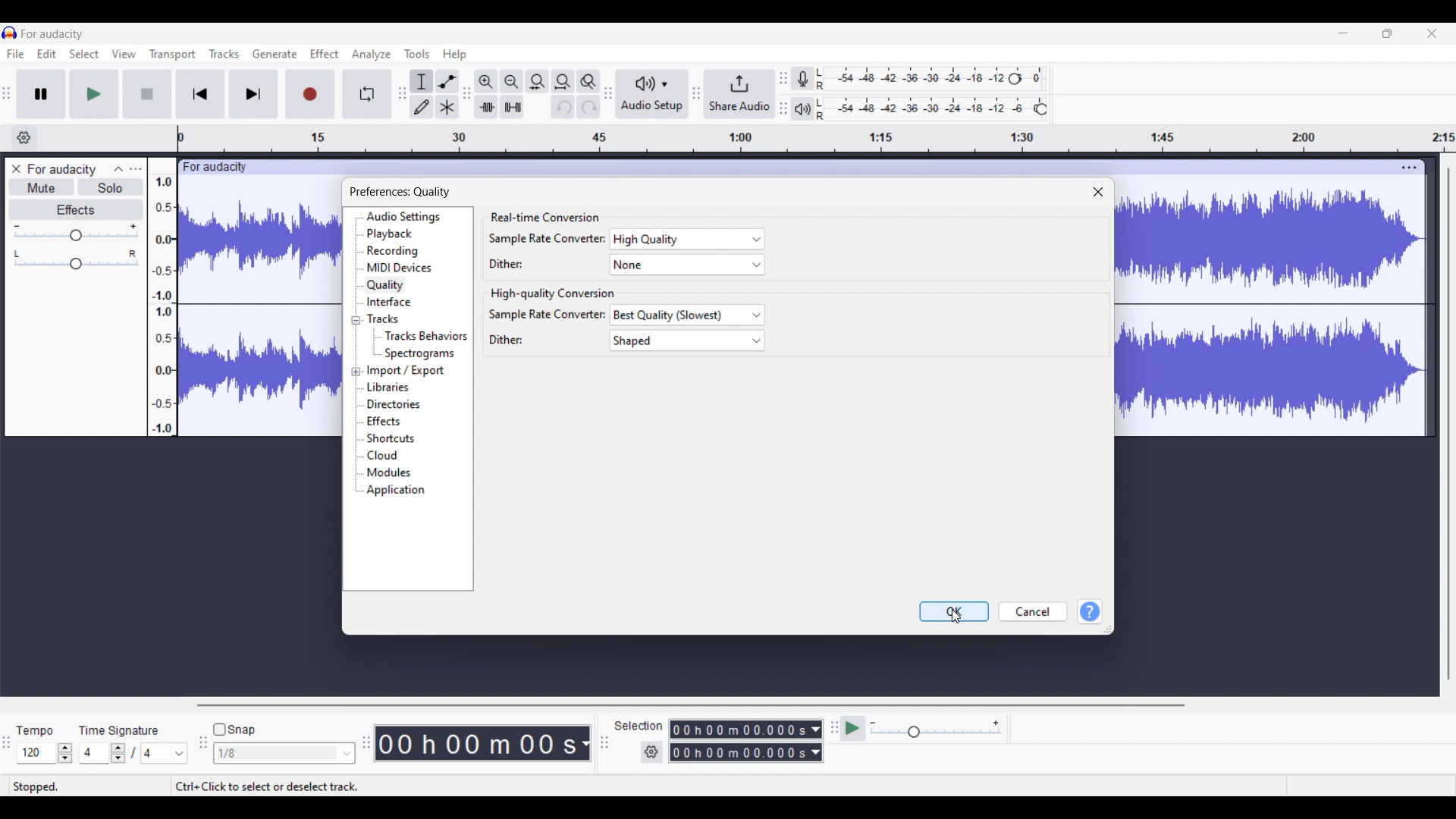 This screenshot has height=819, width=1456. What do you see at coordinates (76, 264) in the screenshot?
I see `Header to change pan` at bounding box center [76, 264].